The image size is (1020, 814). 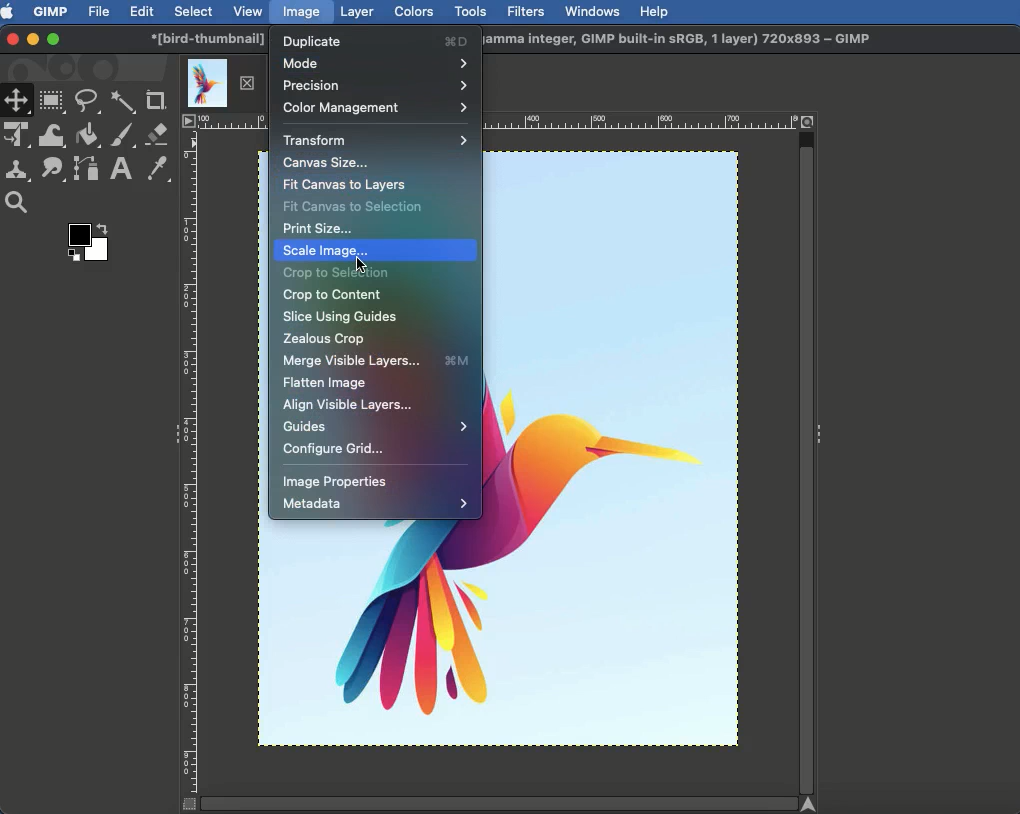 I want to click on Fit canvas to selection, so click(x=354, y=207).